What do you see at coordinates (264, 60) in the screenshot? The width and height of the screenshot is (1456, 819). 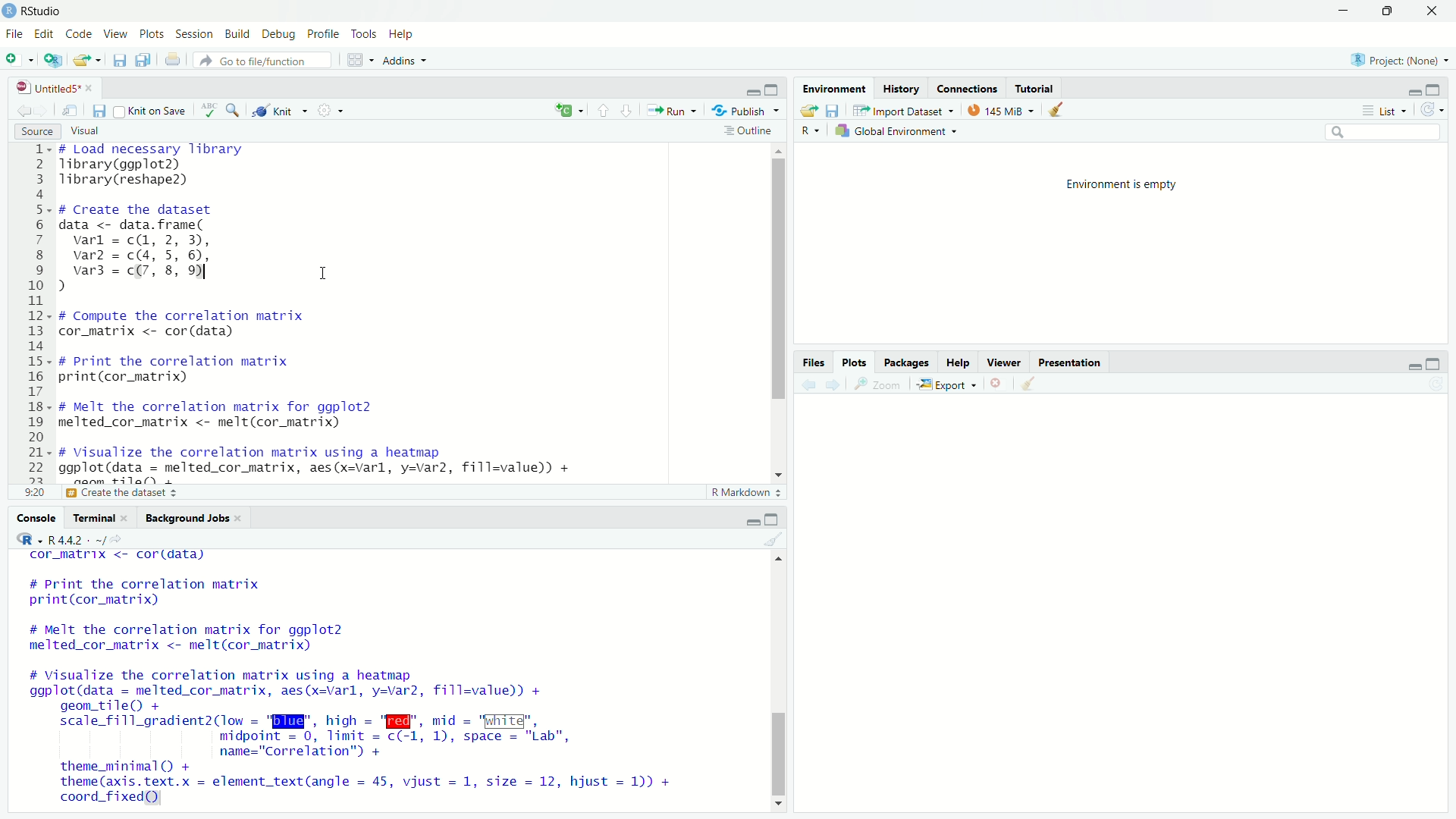 I see `go to file/function` at bounding box center [264, 60].